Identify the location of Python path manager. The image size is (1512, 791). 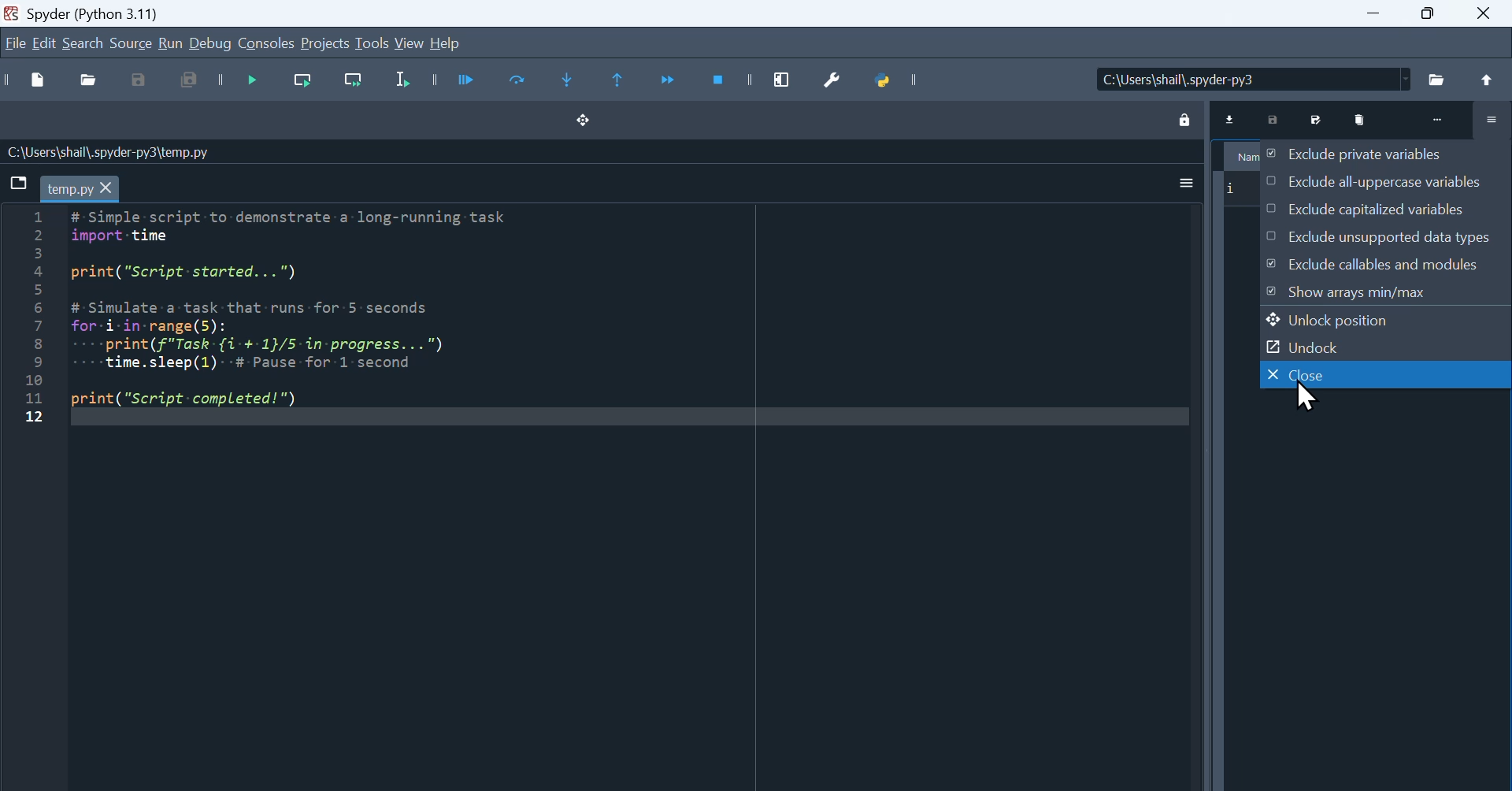
(885, 81).